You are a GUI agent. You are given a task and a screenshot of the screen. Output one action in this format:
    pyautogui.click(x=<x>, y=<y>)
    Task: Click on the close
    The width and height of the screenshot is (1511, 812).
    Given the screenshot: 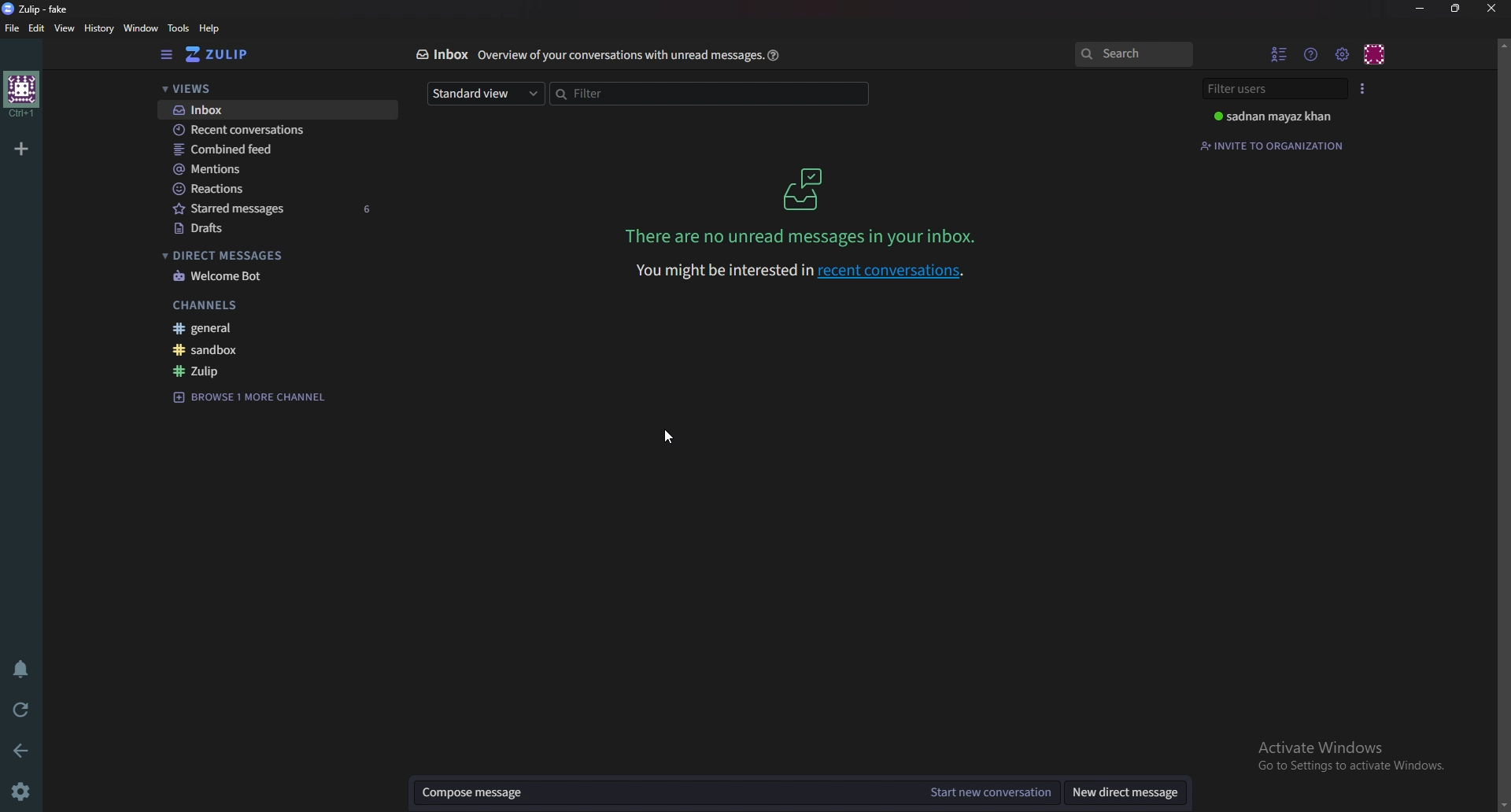 What is the action you would take?
    pyautogui.click(x=1491, y=8)
    